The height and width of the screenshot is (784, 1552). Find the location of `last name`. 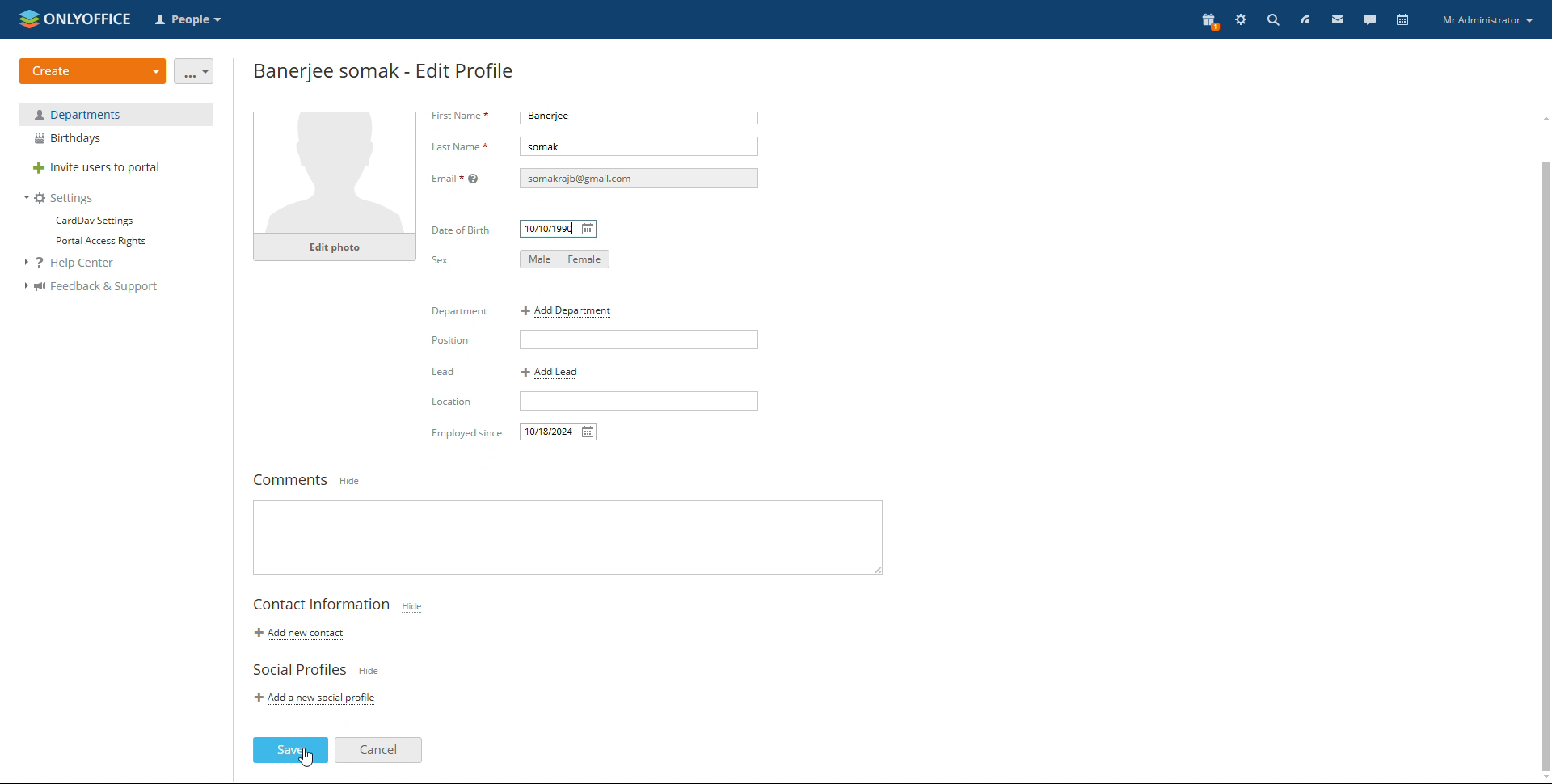

last name is located at coordinates (639, 147).